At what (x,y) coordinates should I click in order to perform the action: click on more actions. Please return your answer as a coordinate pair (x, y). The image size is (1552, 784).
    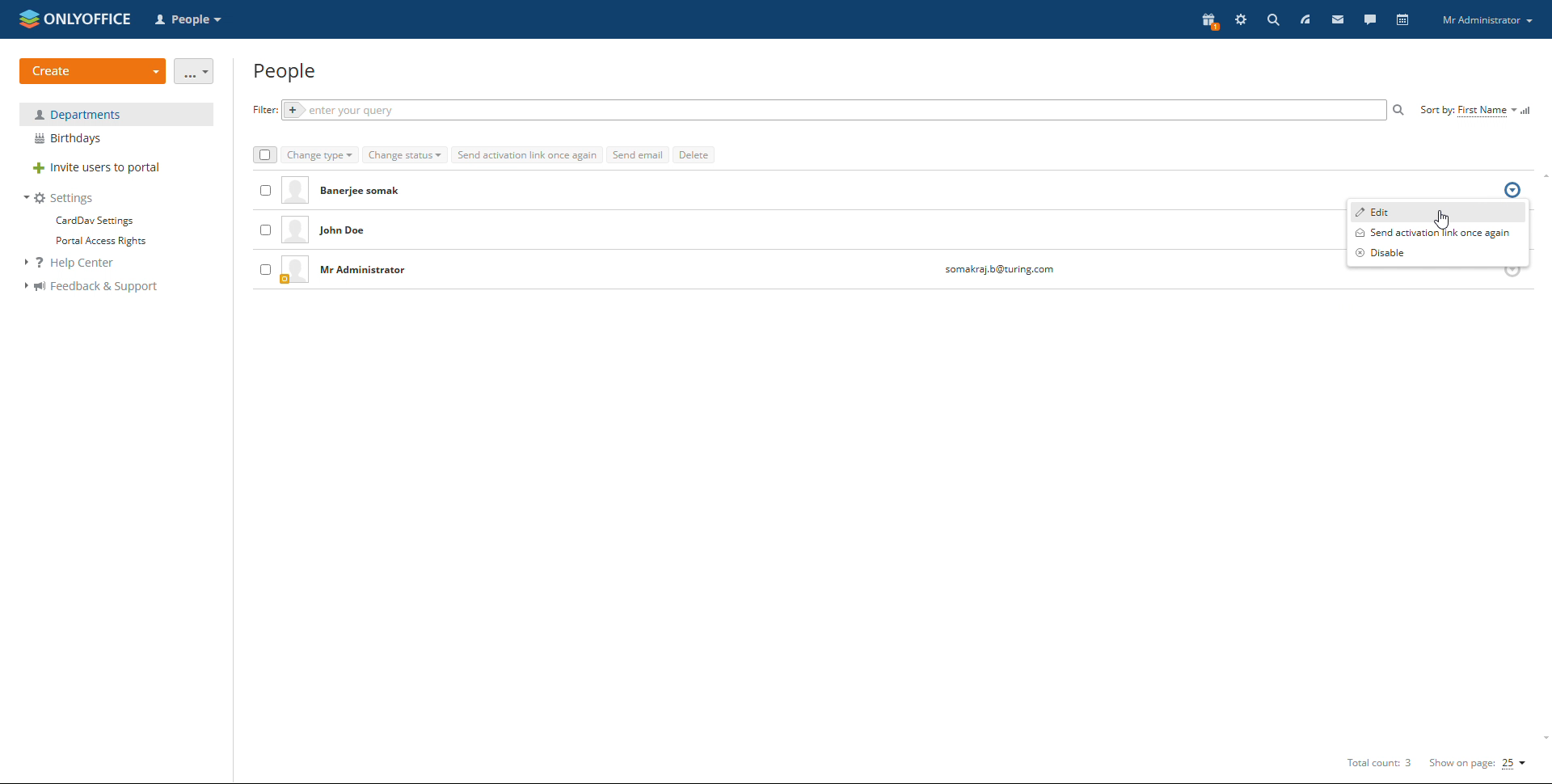
    Looking at the image, I should click on (195, 71).